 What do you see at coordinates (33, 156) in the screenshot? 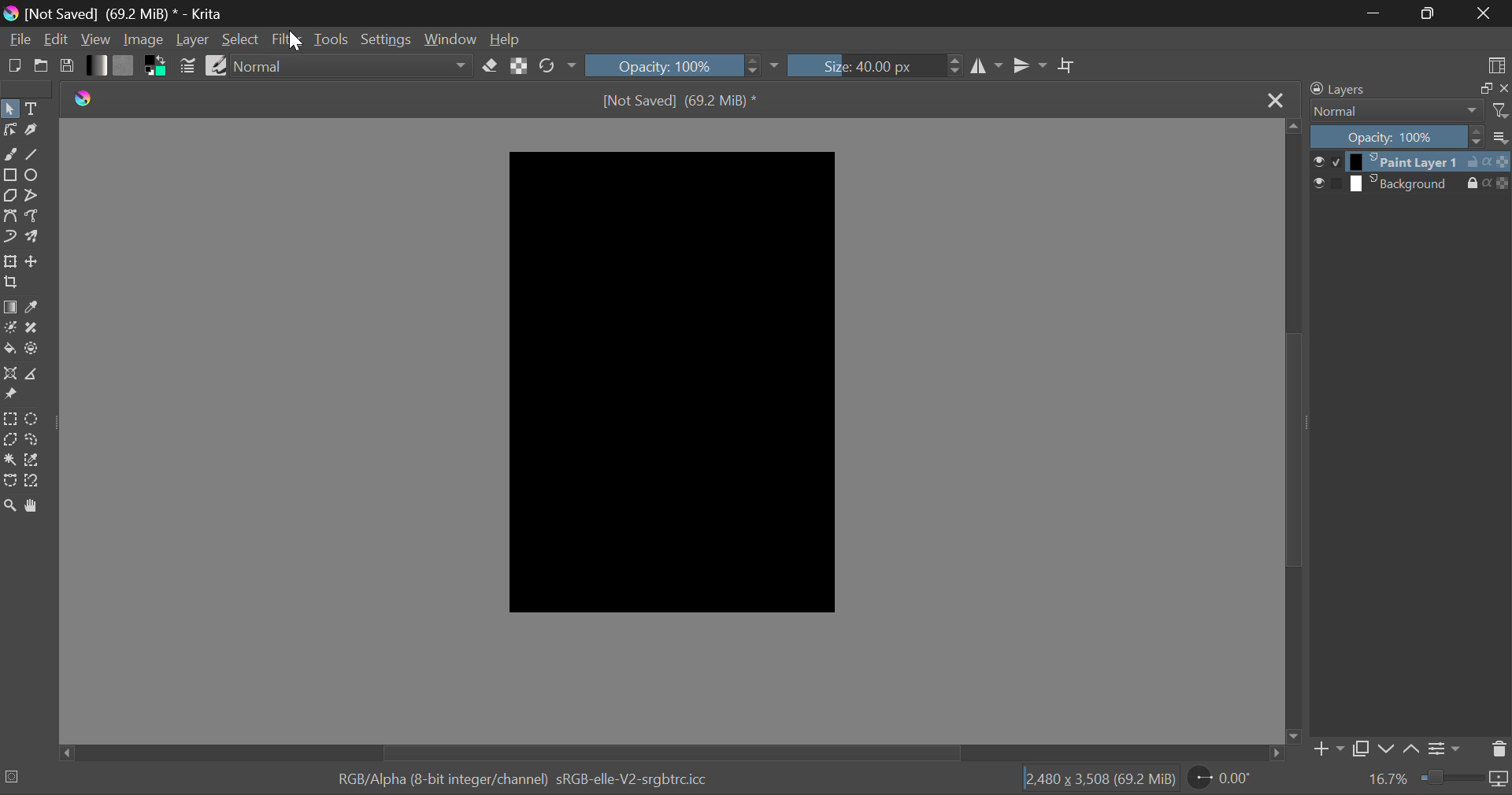
I see `Line` at bounding box center [33, 156].